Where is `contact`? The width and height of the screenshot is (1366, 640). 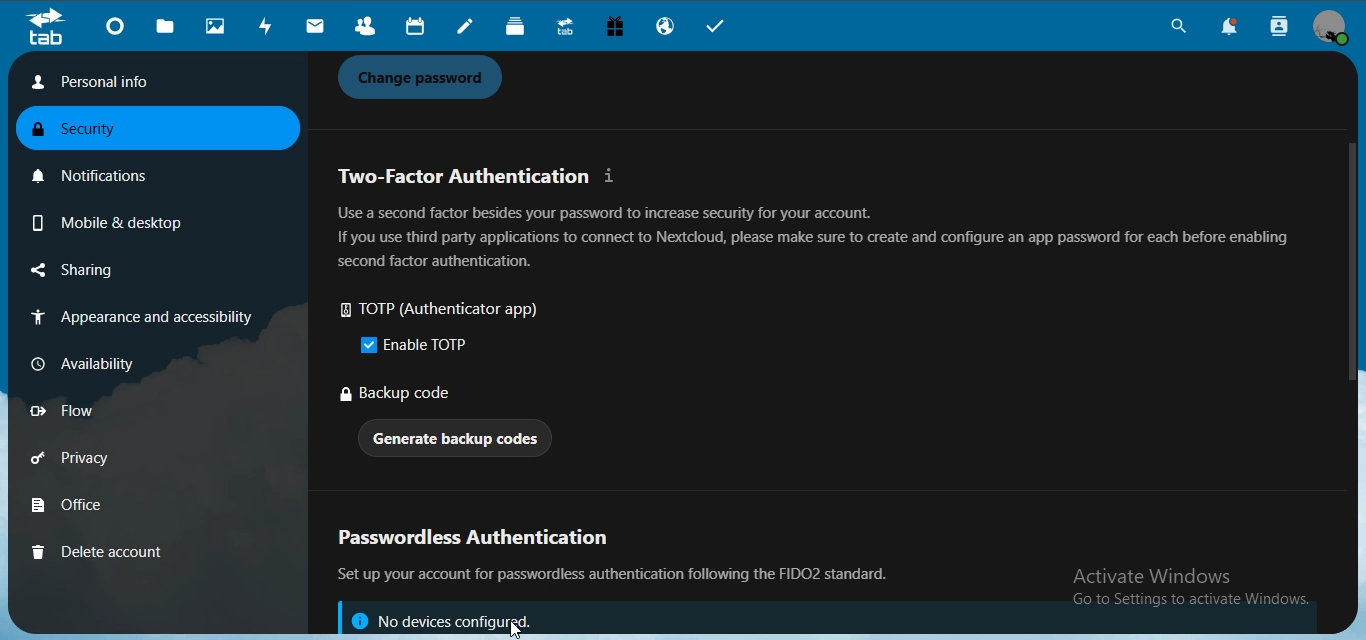 contact is located at coordinates (365, 27).